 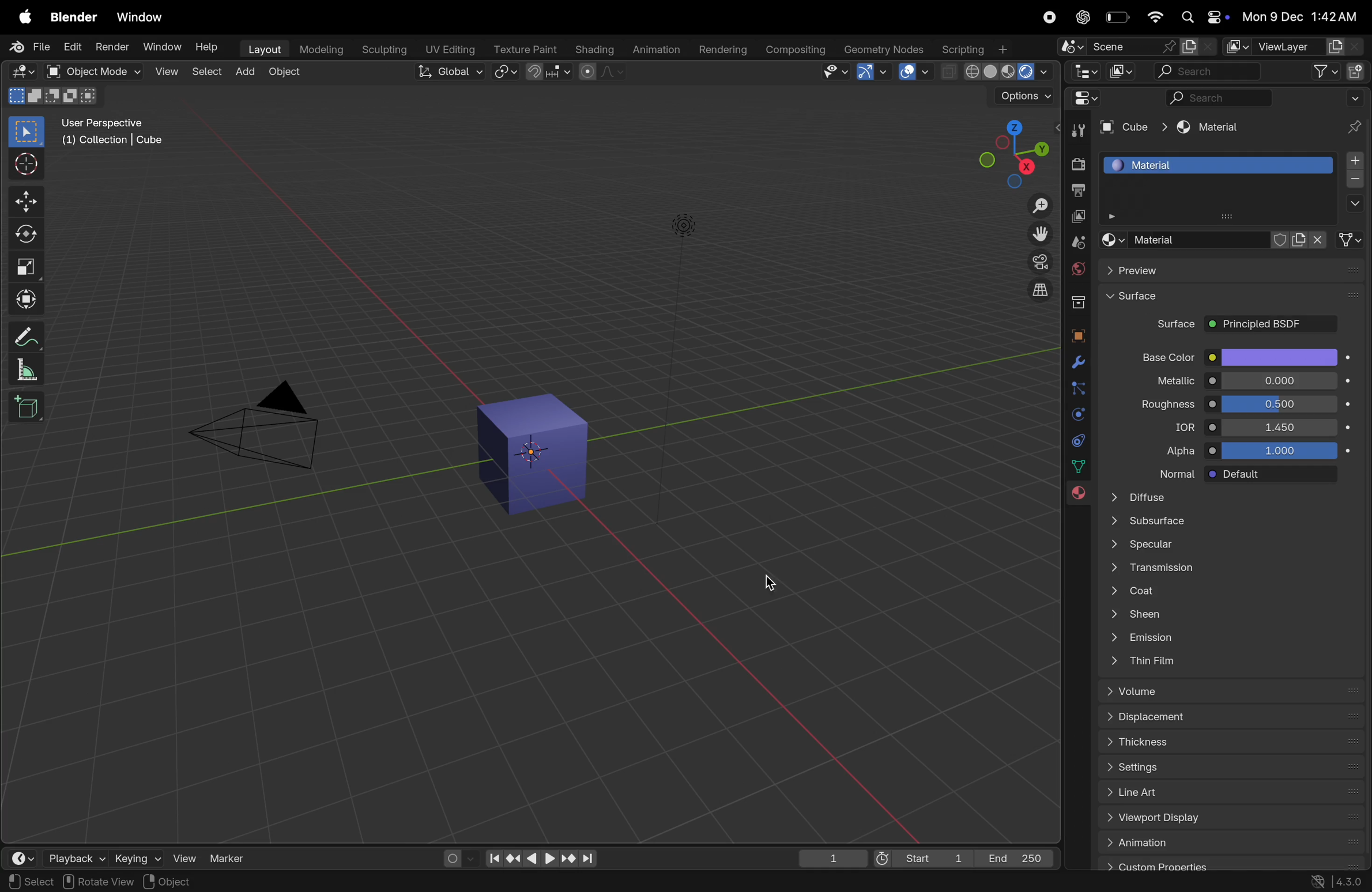 I want to click on show overlays, so click(x=916, y=72).